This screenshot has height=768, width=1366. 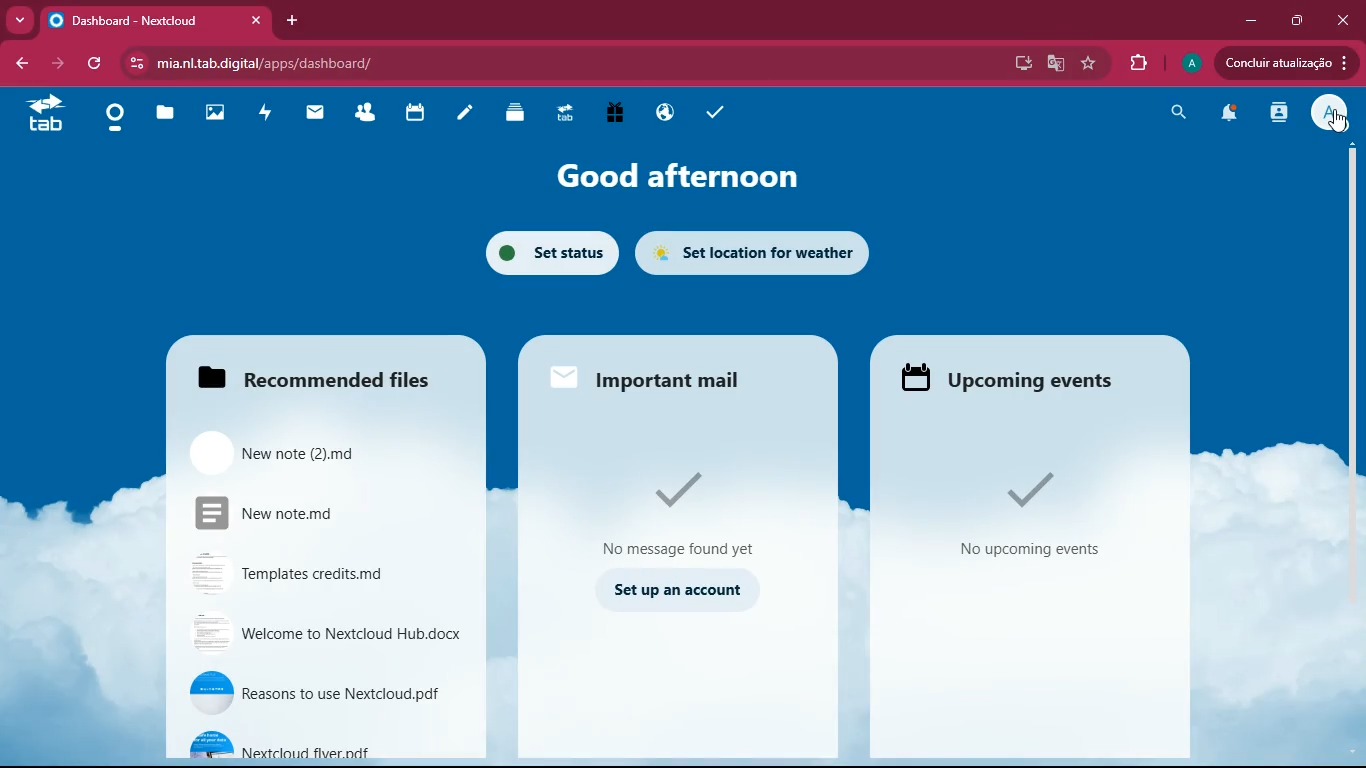 What do you see at coordinates (366, 109) in the screenshot?
I see `friends` at bounding box center [366, 109].